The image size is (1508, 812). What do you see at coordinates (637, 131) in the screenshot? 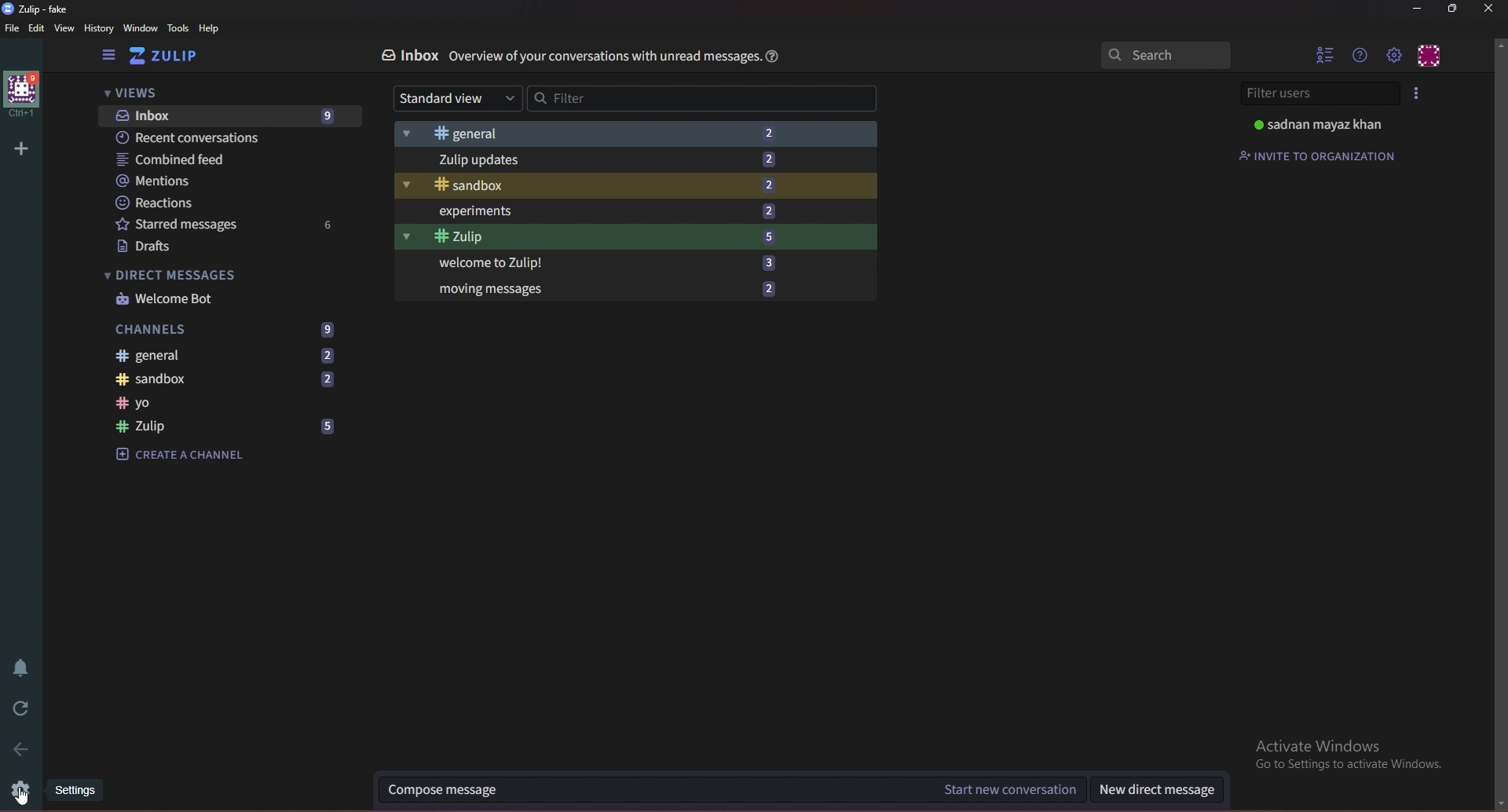
I see `General` at bounding box center [637, 131].